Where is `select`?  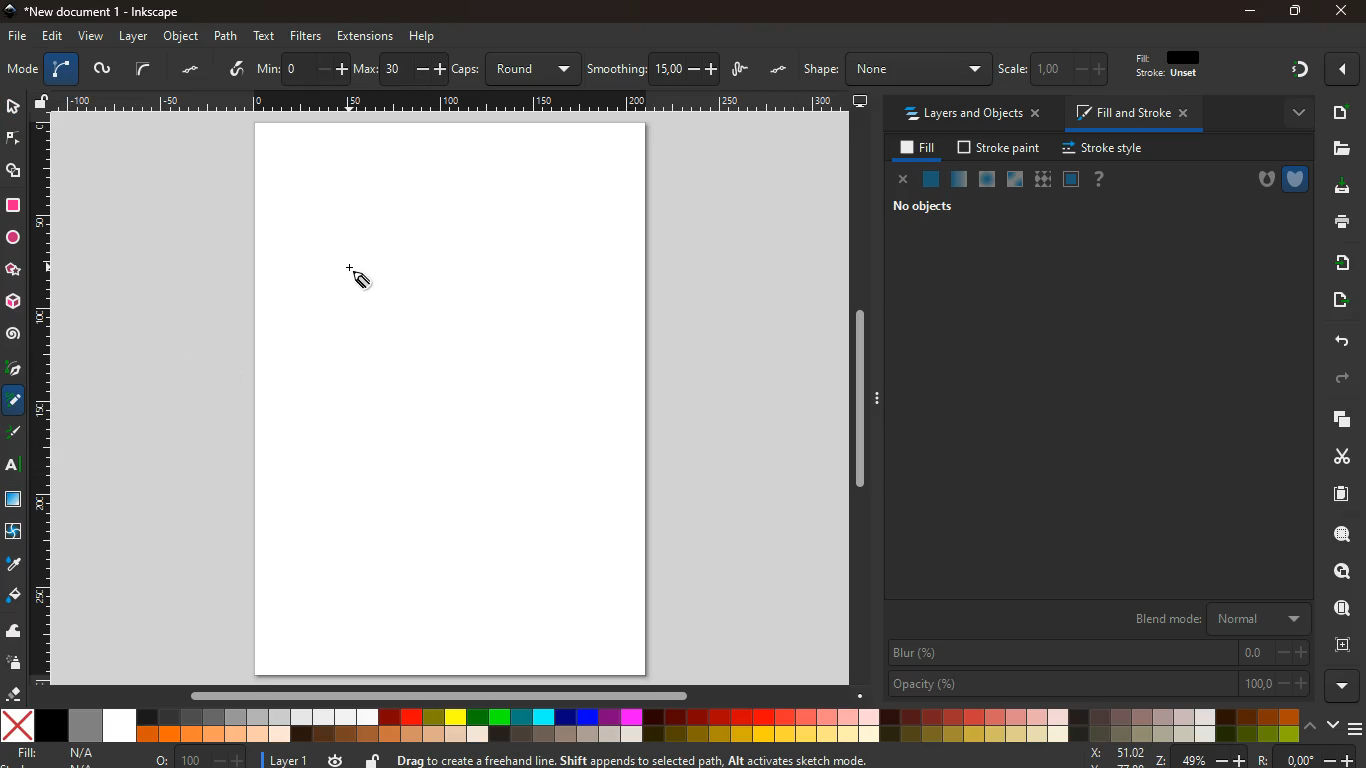
select is located at coordinates (11, 105).